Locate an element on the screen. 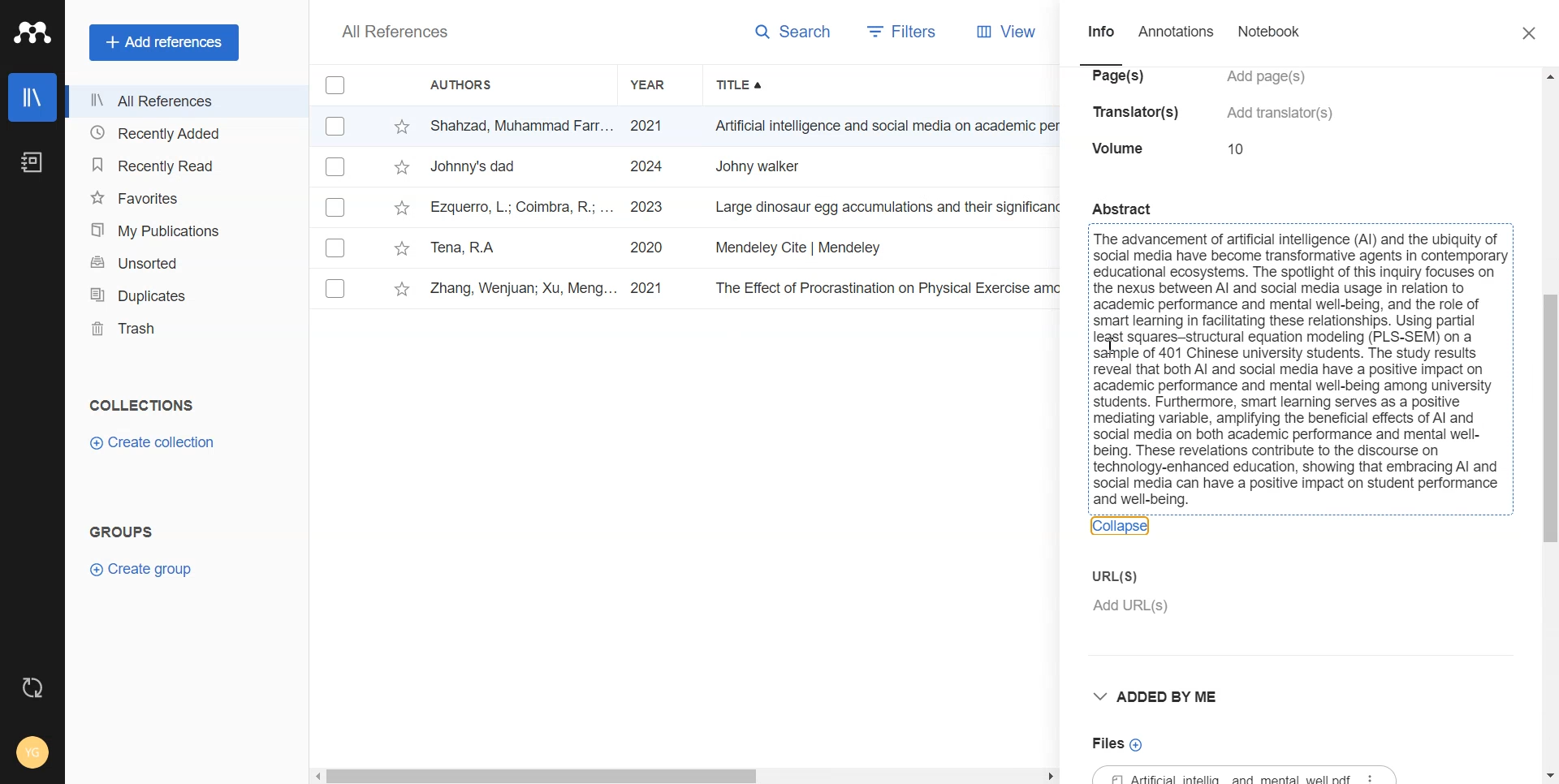  volume is located at coordinates (1117, 147).